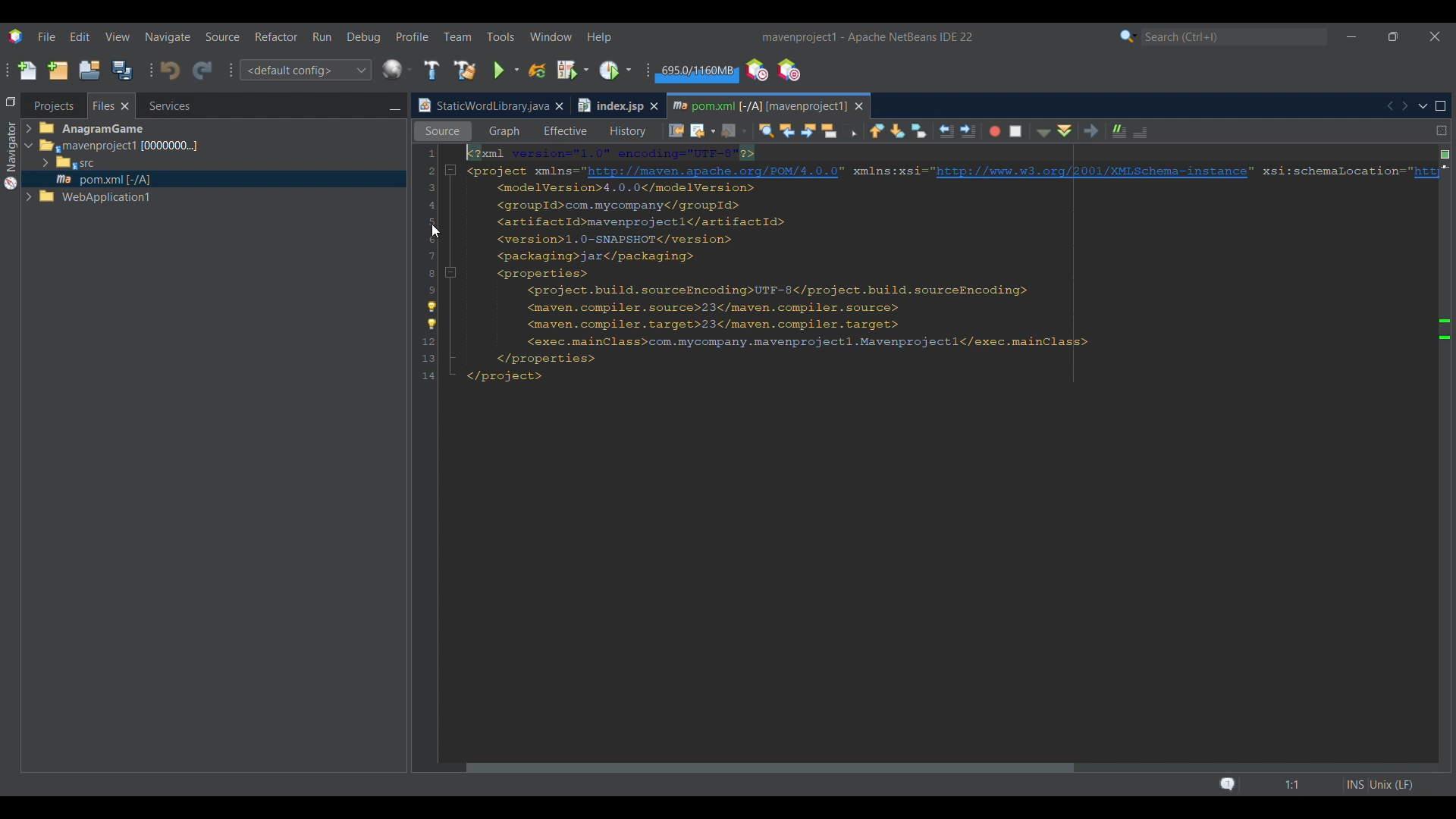 The width and height of the screenshot is (1456, 819). What do you see at coordinates (1445, 329) in the screenshot?
I see `Convert to release option after strict compatibility checks` at bounding box center [1445, 329].